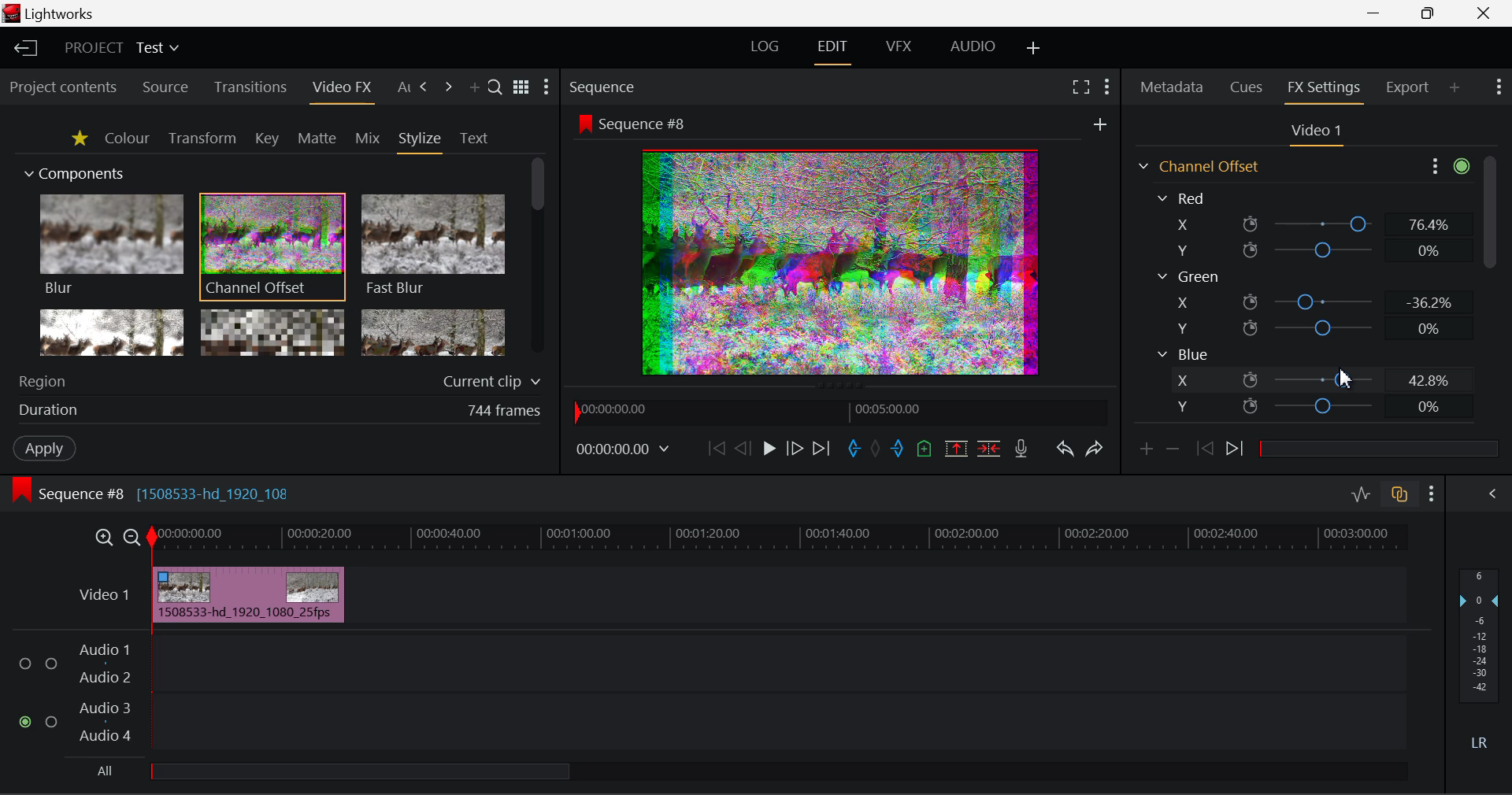  Describe the element at coordinates (1082, 89) in the screenshot. I see `Full Screen` at that location.